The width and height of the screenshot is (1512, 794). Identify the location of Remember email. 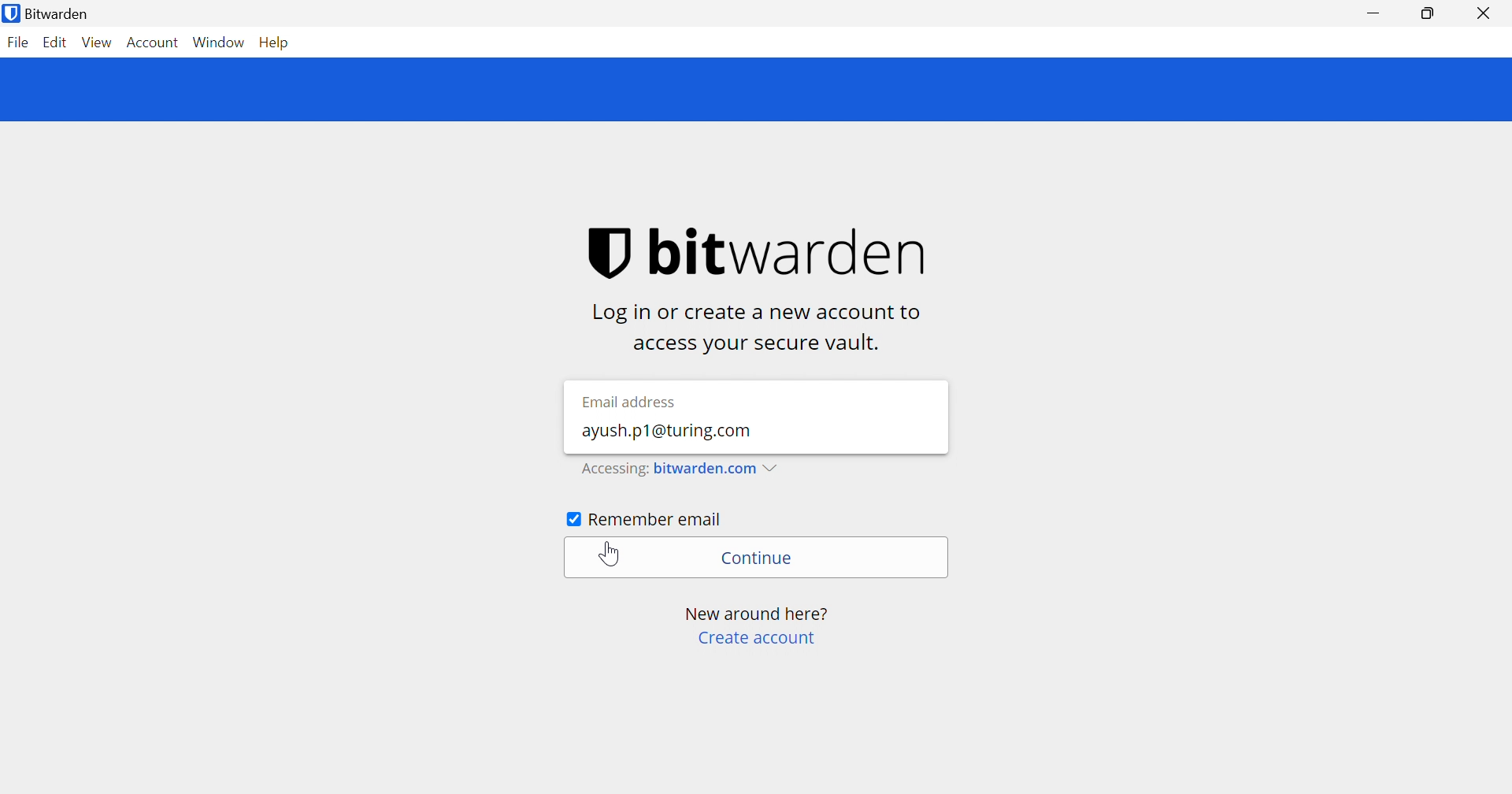
(656, 519).